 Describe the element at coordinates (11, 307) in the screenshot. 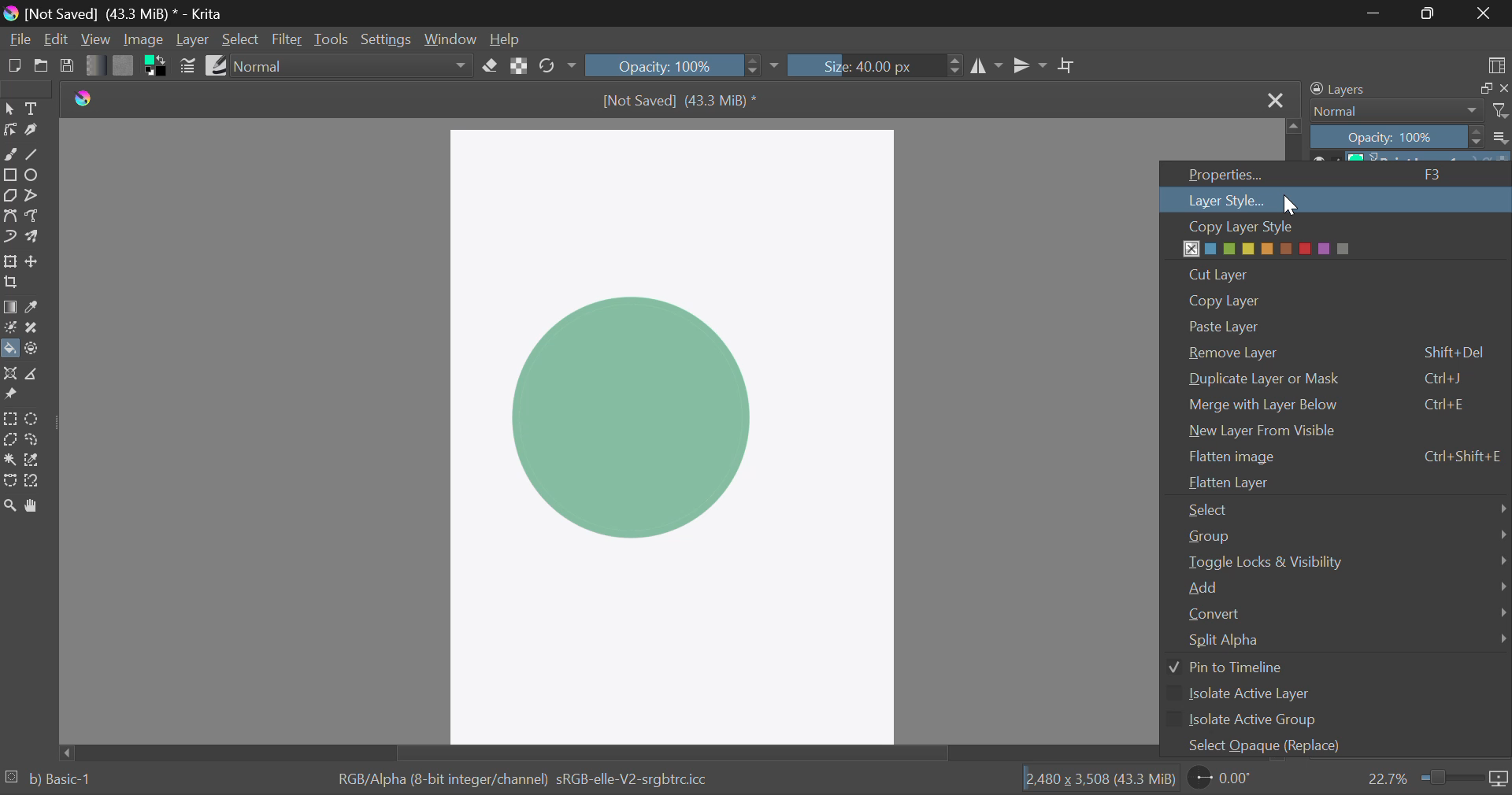

I see `Gradient Fill` at that location.